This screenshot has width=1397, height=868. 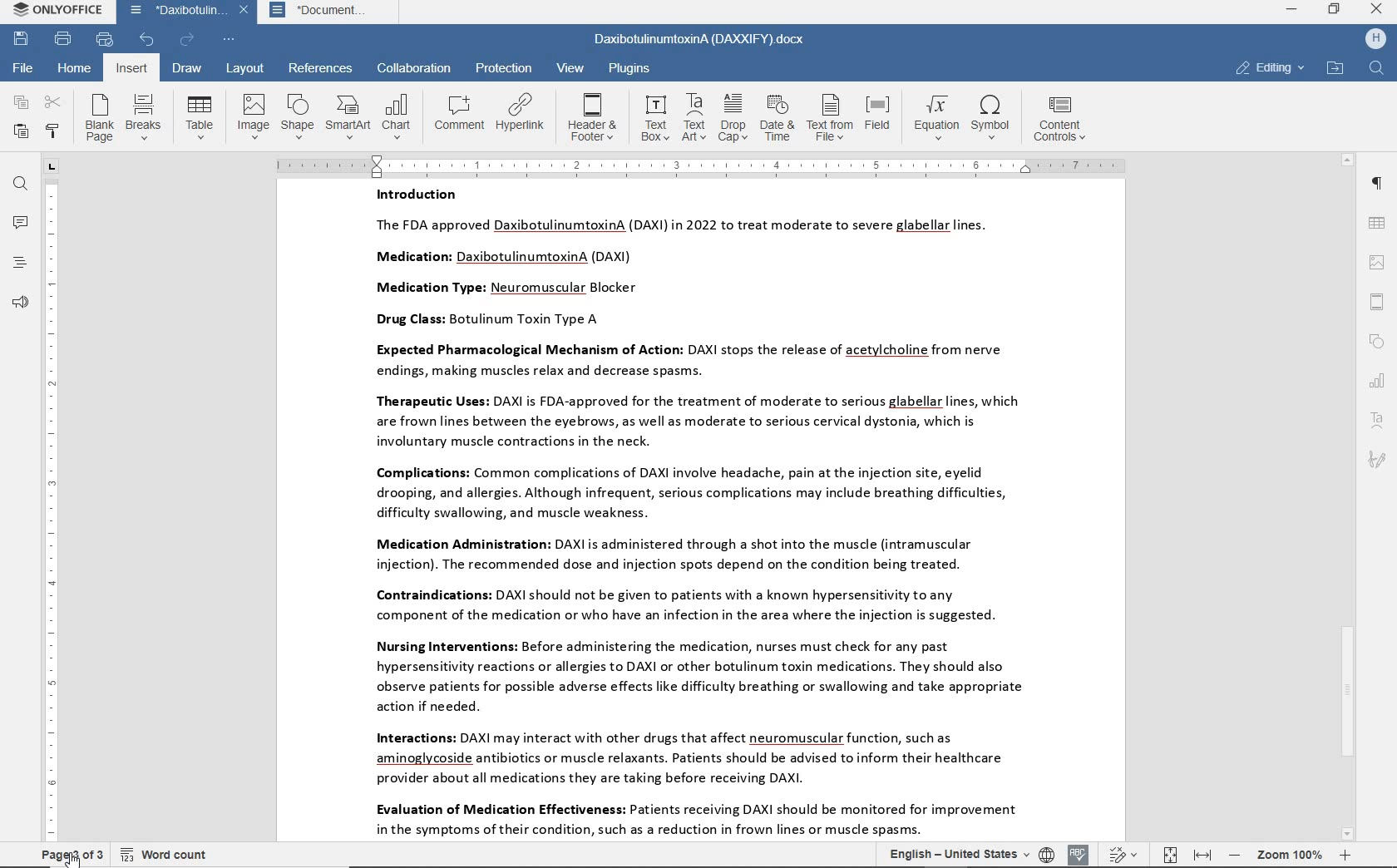 What do you see at coordinates (130, 68) in the screenshot?
I see `insert` at bounding box center [130, 68].